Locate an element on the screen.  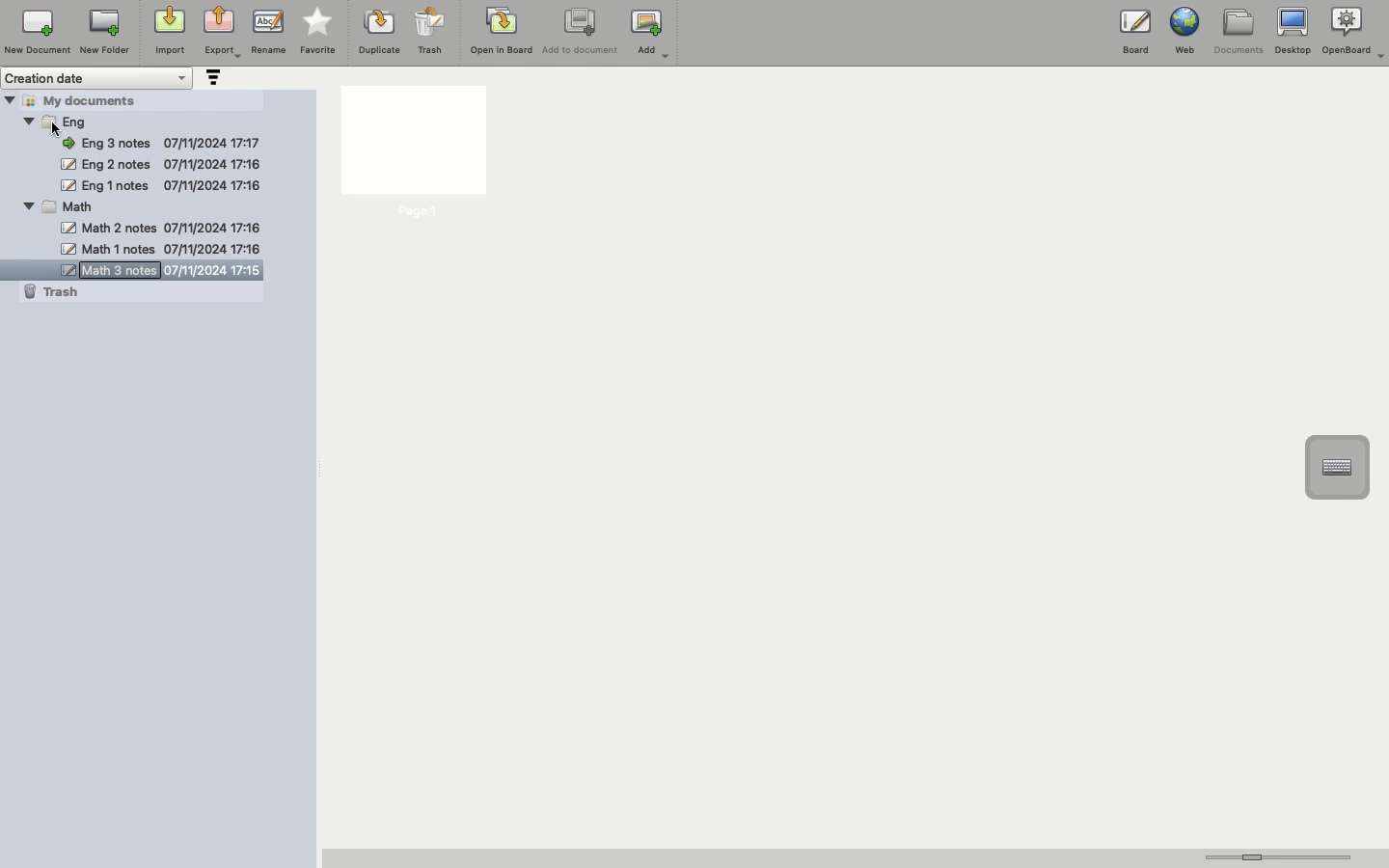
My documents is located at coordinates (93, 99).